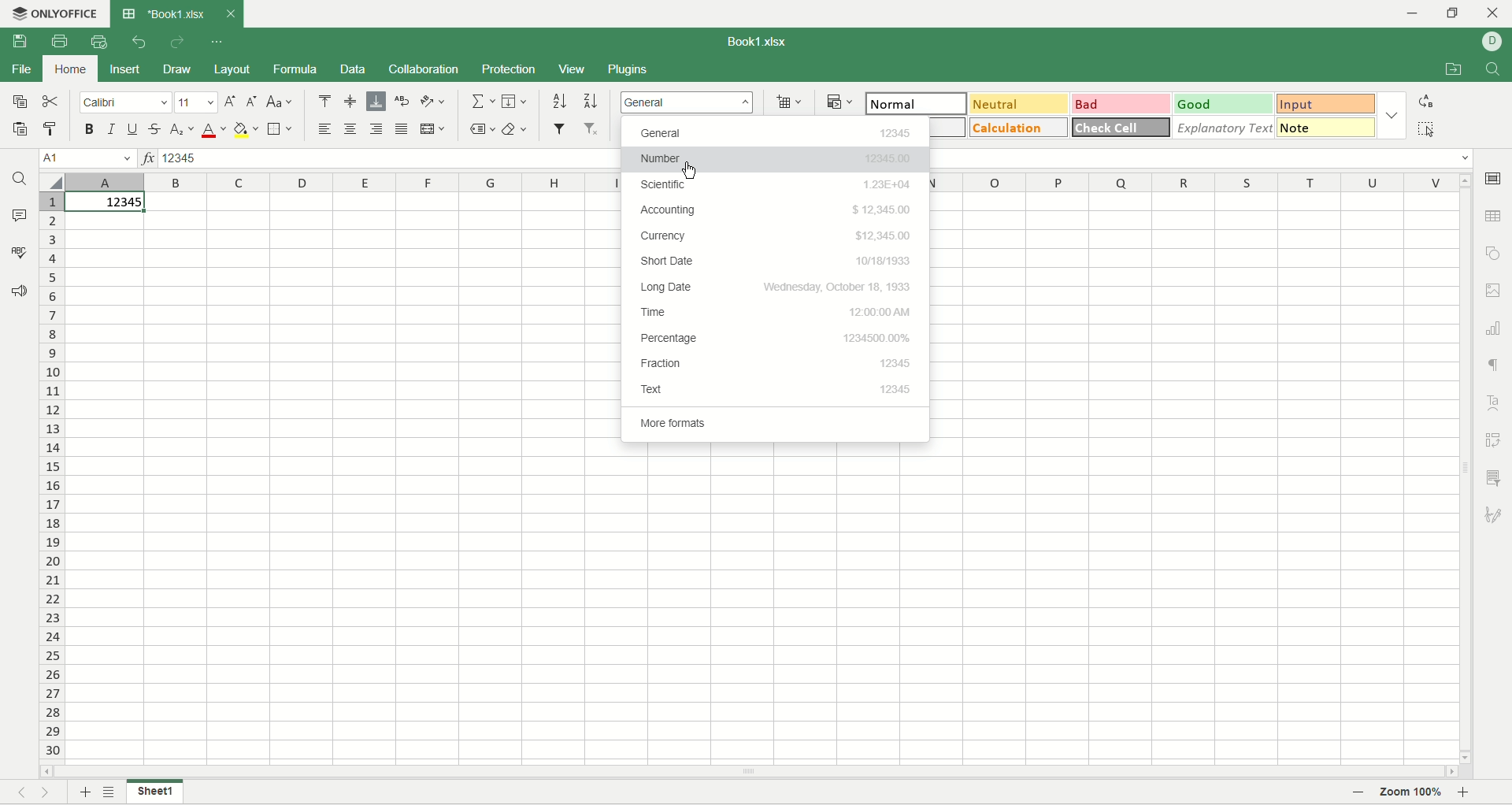 Image resolution: width=1512 pixels, height=805 pixels. What do you see at coordinates (20, 130) in the screenshot?
I see `paste` at bounding box center [20, 130].